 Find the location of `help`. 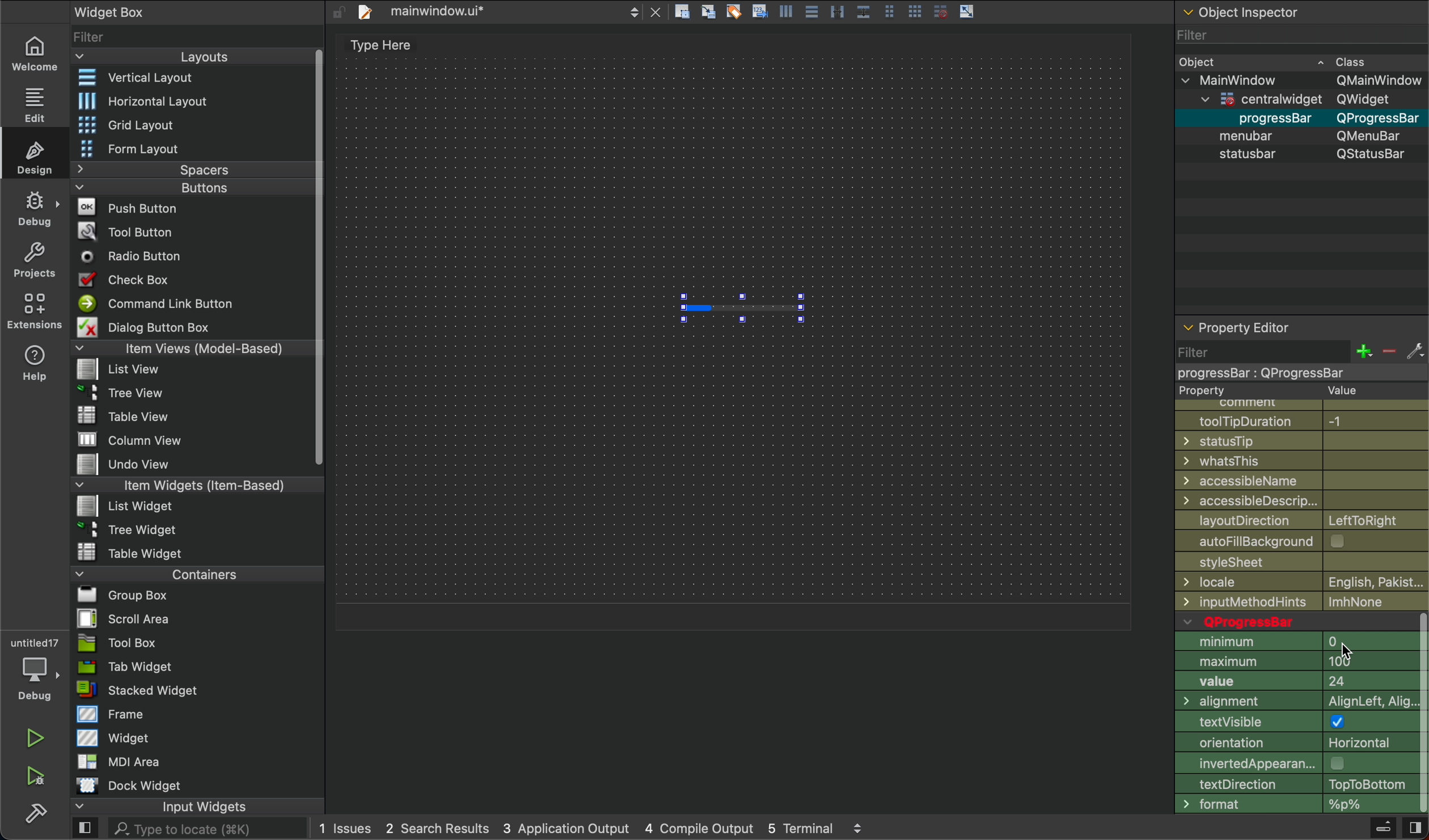

help is located at coordinates (36, 362).